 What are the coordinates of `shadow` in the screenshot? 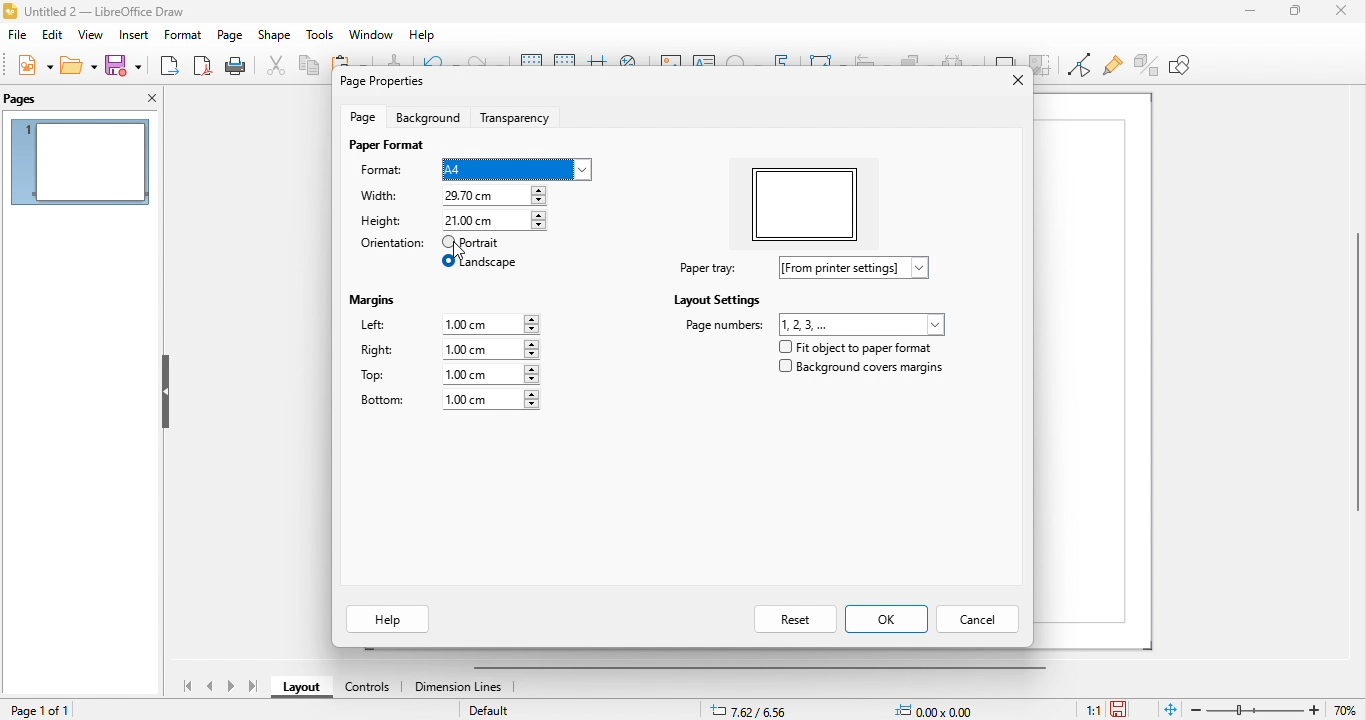 It's located at (1005, 61).